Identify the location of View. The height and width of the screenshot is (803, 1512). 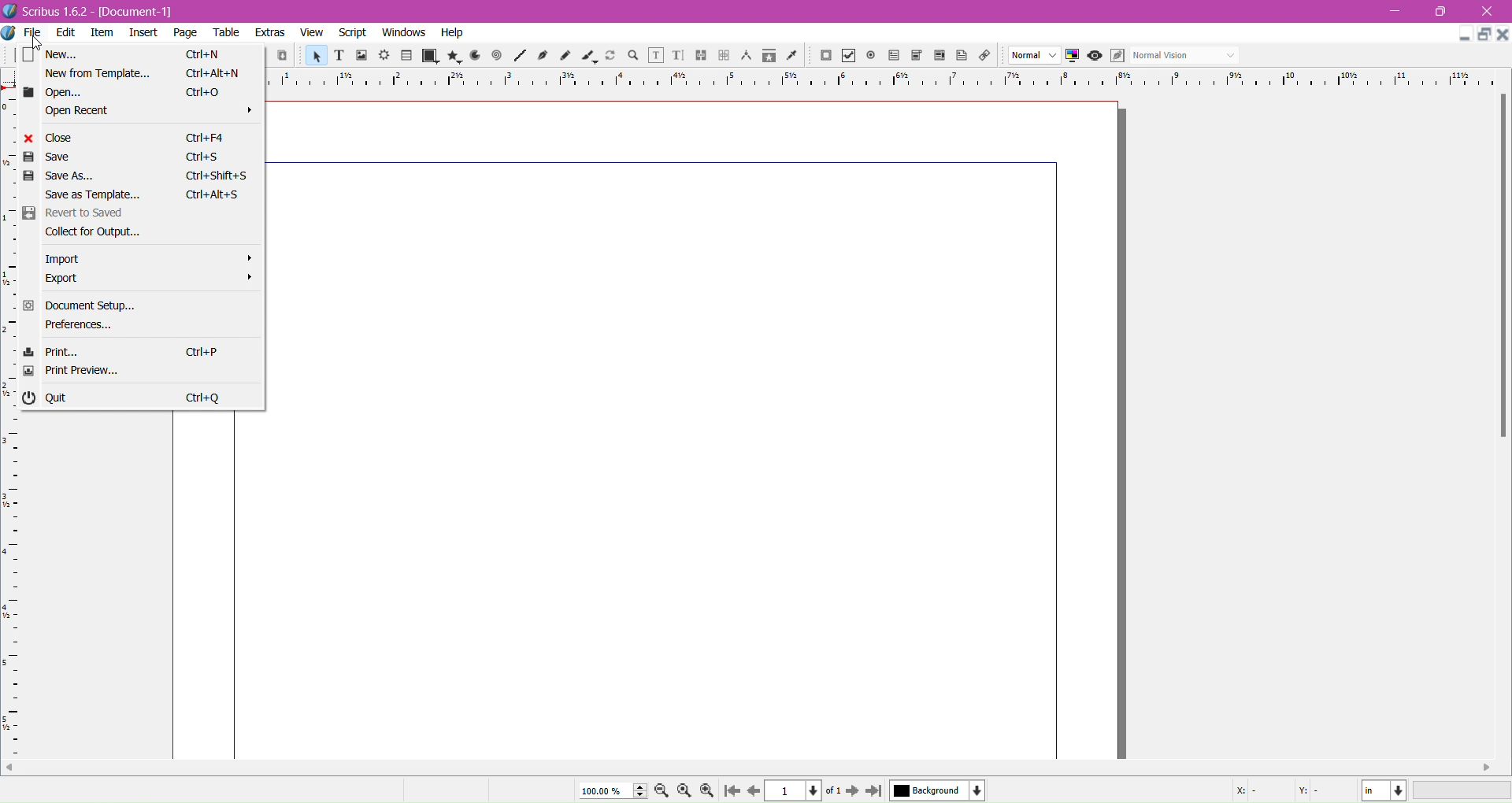
(310, 32).